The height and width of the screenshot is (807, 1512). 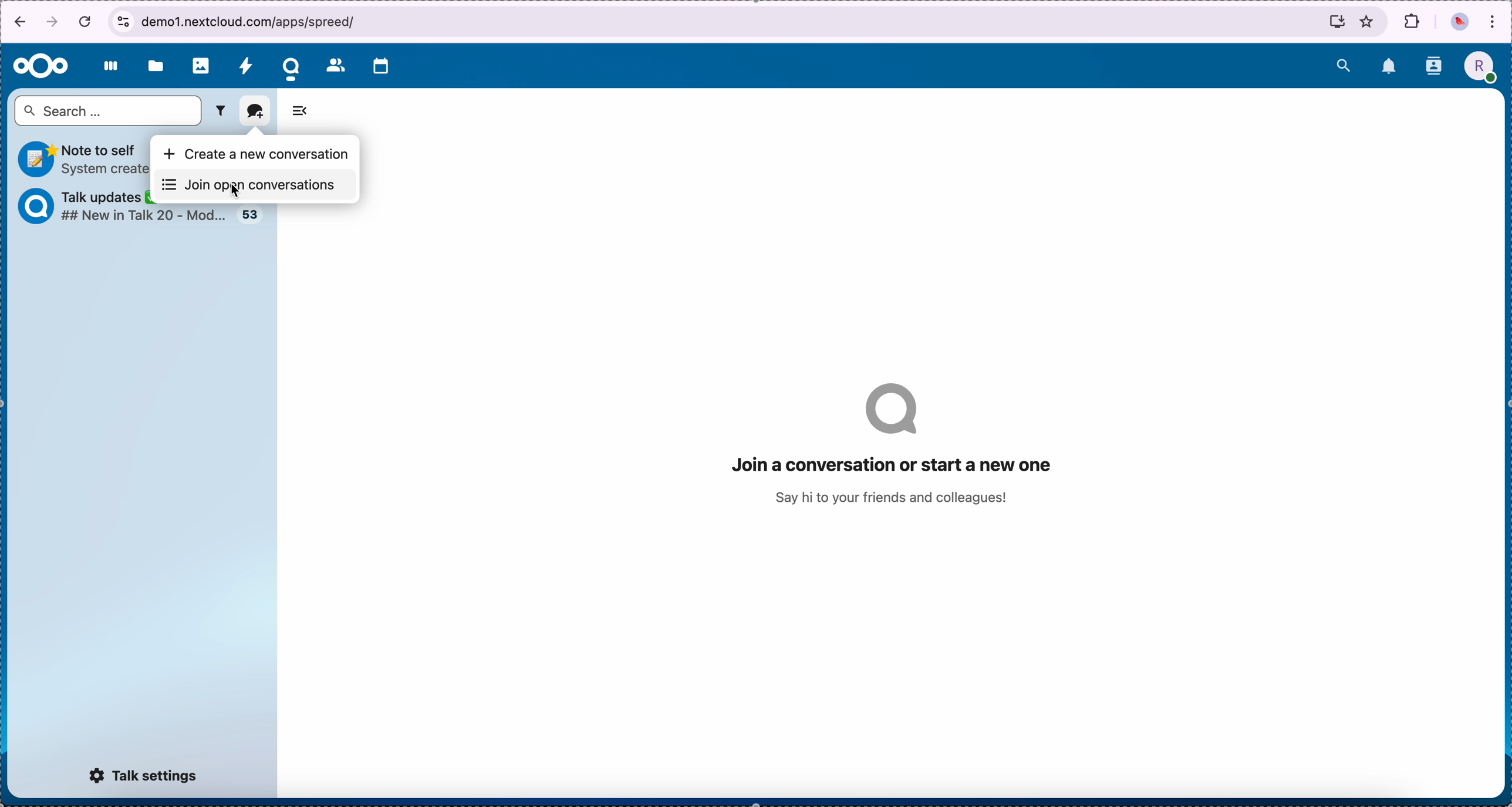 I want to click on + Create a new conversation, so click(x=257, y=150).